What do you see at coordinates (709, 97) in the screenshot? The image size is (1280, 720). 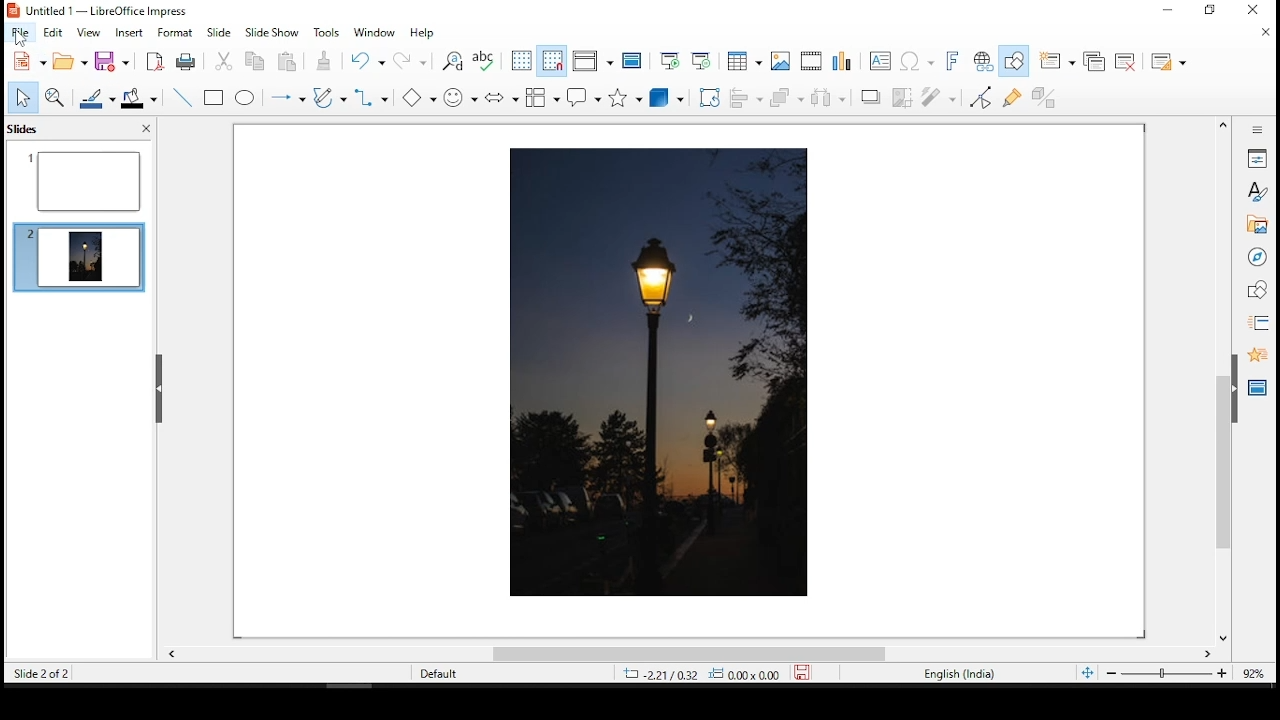 I see `crop tool` at bounding box center [709, 97].